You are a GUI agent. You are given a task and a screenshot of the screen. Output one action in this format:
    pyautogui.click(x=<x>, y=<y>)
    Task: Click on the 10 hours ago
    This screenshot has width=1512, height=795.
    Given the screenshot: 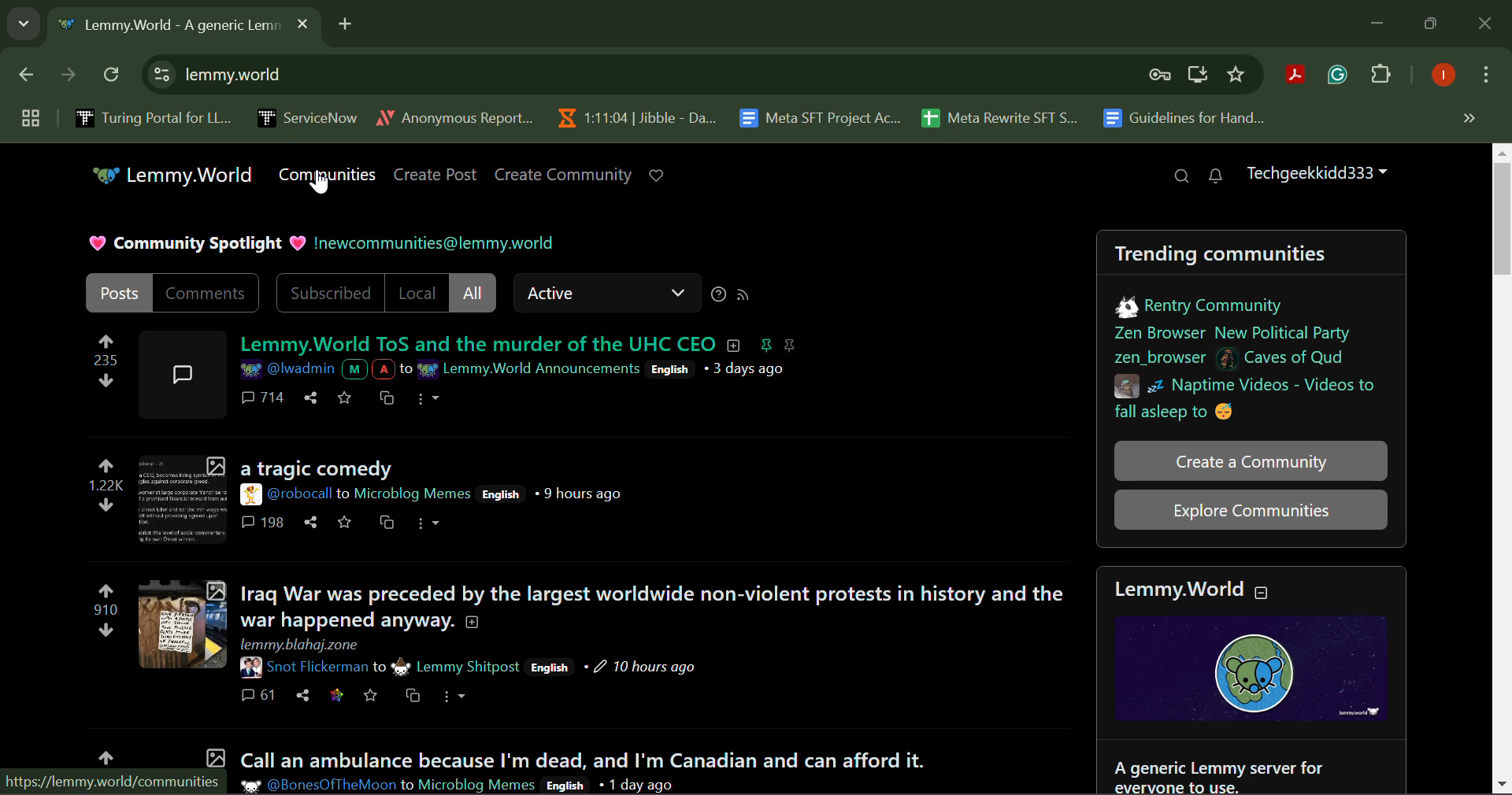 What is the action you would take?
    pyautogui.click(x=644, y=667)
    